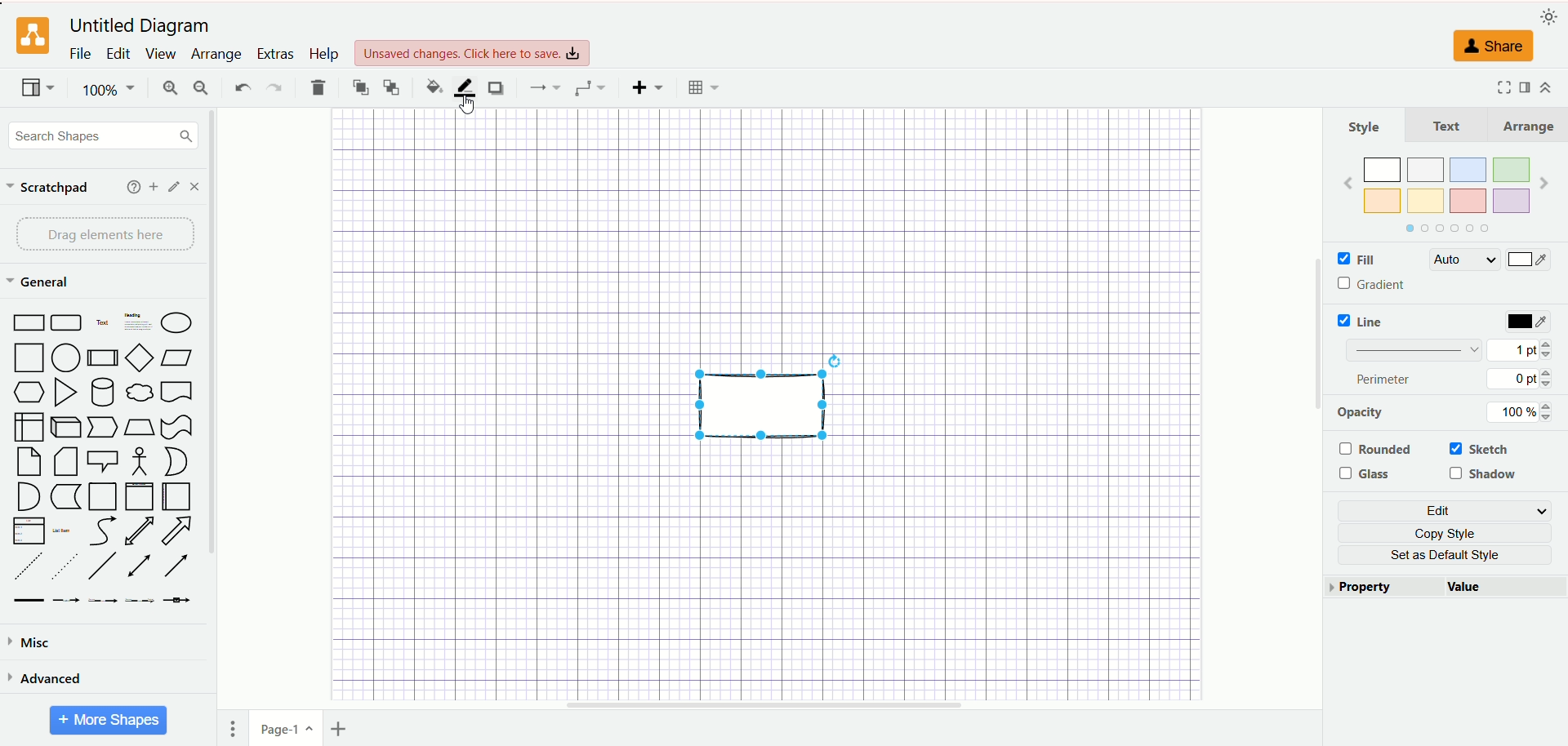  Describe the element at coordinates (129, 186) in the screenshot. I see `help` at that location.